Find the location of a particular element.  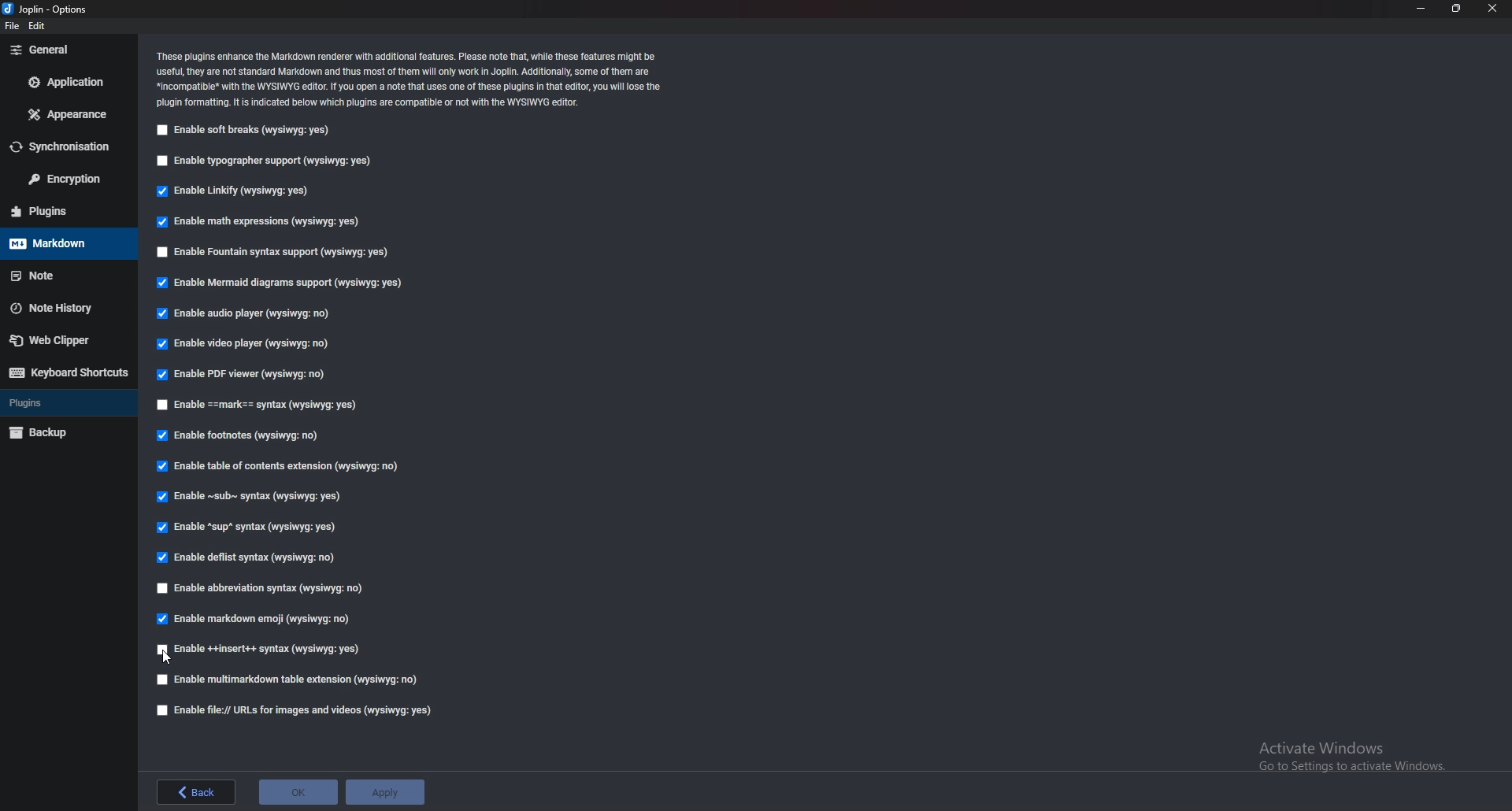

enable Mark Syntax is located at coordinates (272, 406).